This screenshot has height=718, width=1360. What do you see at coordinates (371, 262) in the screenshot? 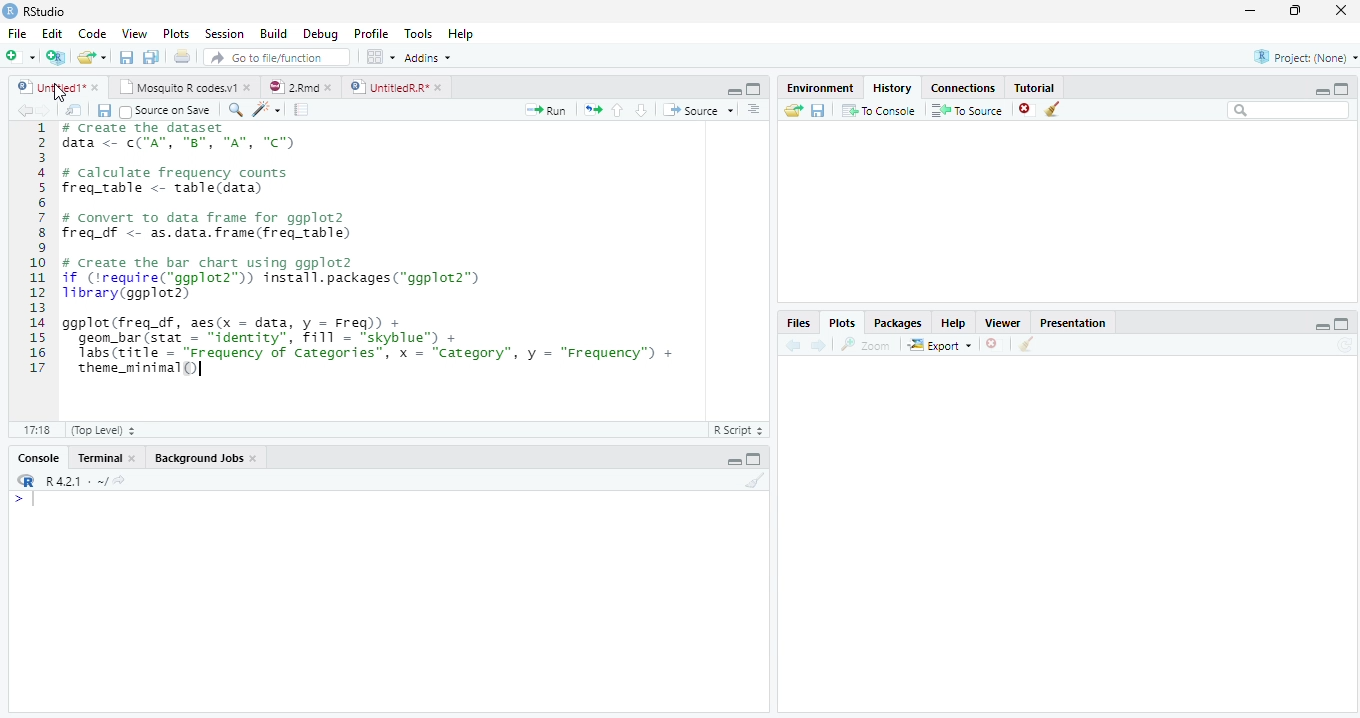
I see `Create the dataset data <- c("a", "8", "A", "¢")calculate frequency countsreq_table <- table(data)Convert to data frame for ggplot2req_df <- as. data. frame(freq_table)Create the bar chart using ggplot2f (irequire(“ggplot2”)) install.packages(“ggplot2”)ibrary(ggplot2)gplot(freq df, aes(x = data, y = Freq) +geom_bar (stat = “identity”, fill = "skyblue") +labs (title = "Frequency of Categories”, x = “Category”, y = Frequency”) +theme_minimal 0]` at bounding box center [371, 262].